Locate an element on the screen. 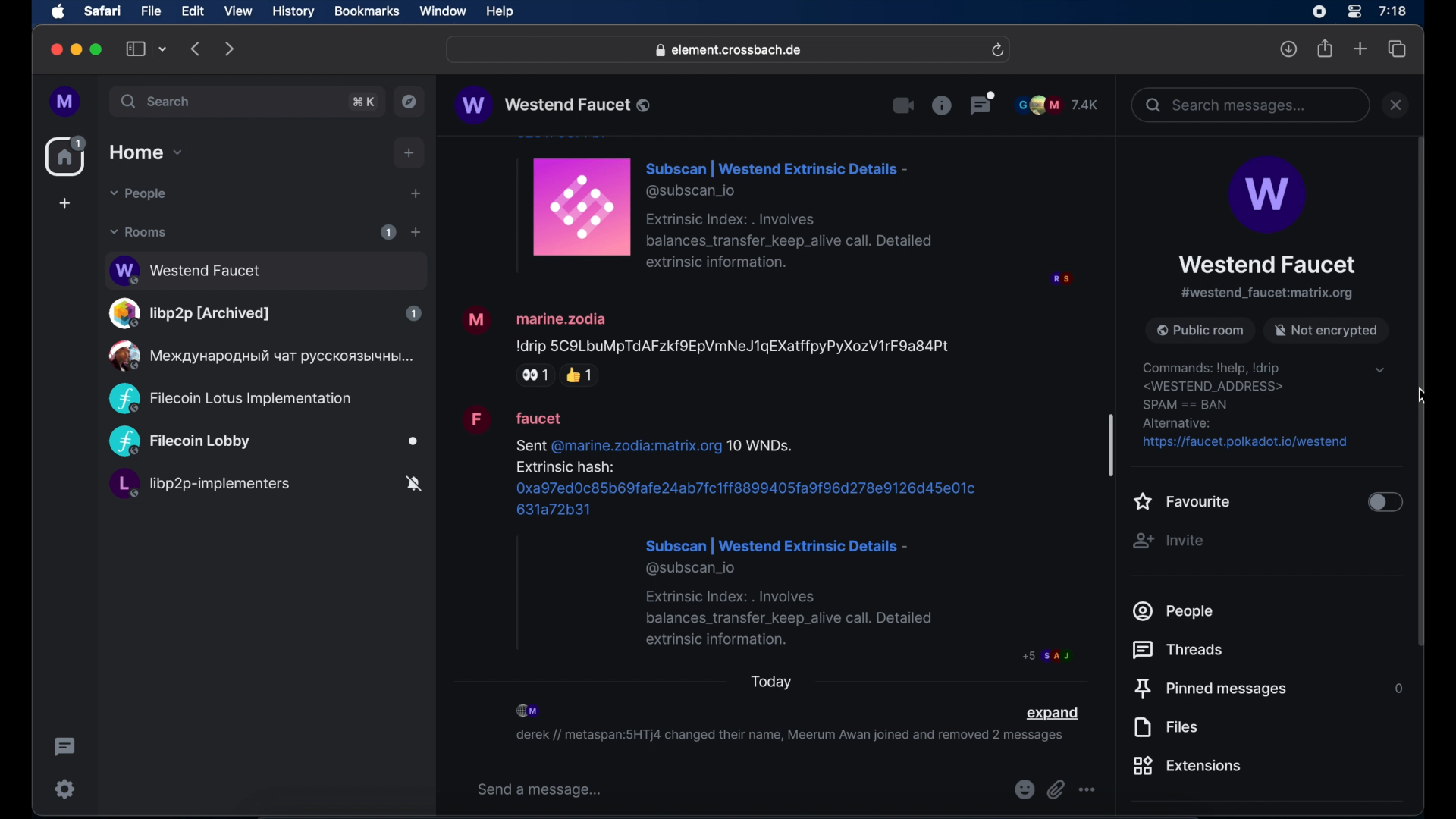  emojis is located at coordinates (1023, 790).